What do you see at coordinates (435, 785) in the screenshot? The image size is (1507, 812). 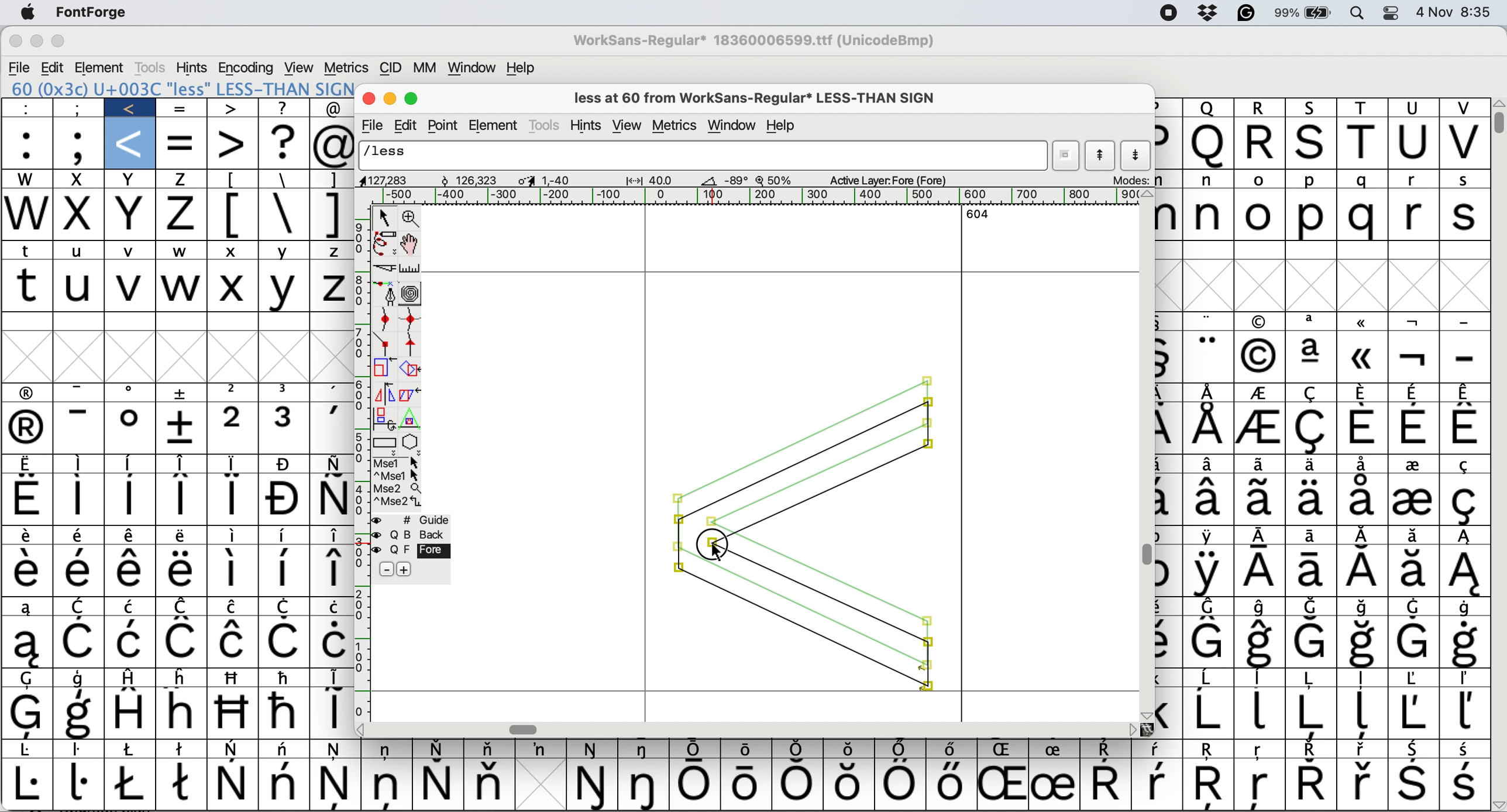 I see `Symbol` at bounding box center [435, 785].